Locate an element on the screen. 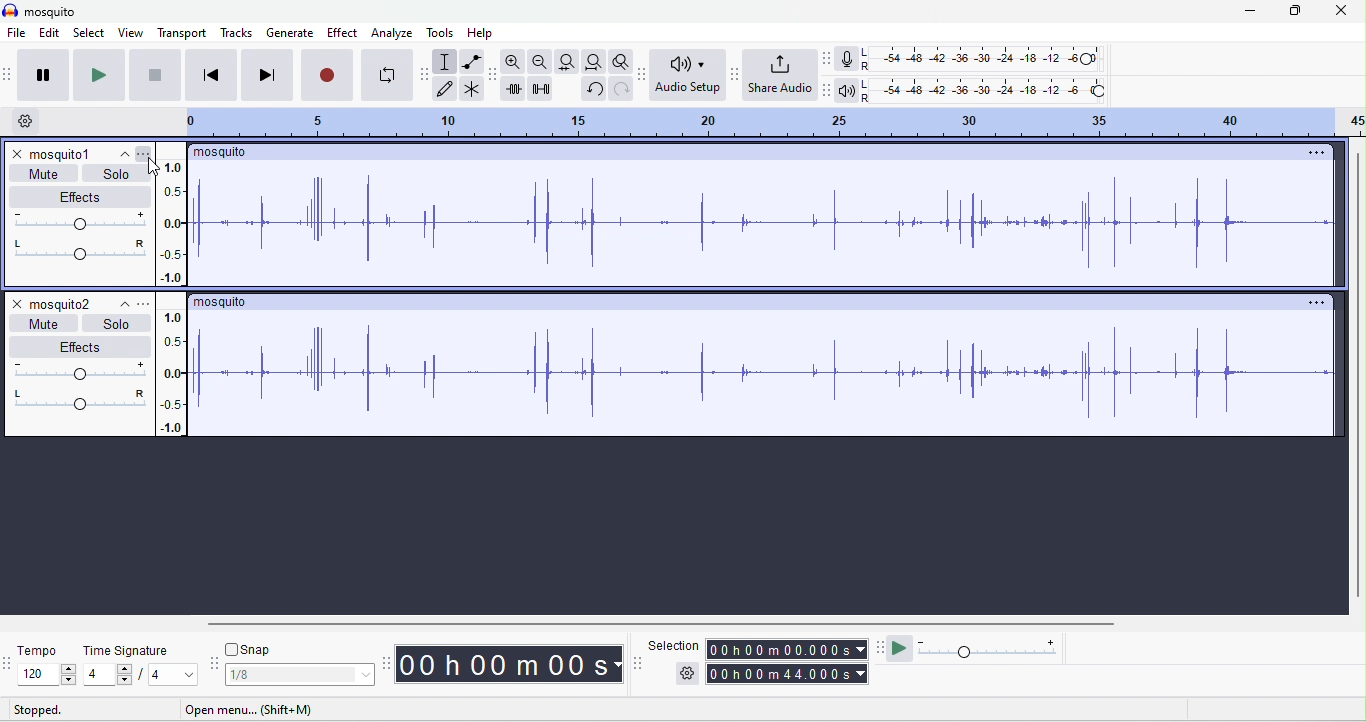  horizontal scroll bar is located at coordinates (630, 624).